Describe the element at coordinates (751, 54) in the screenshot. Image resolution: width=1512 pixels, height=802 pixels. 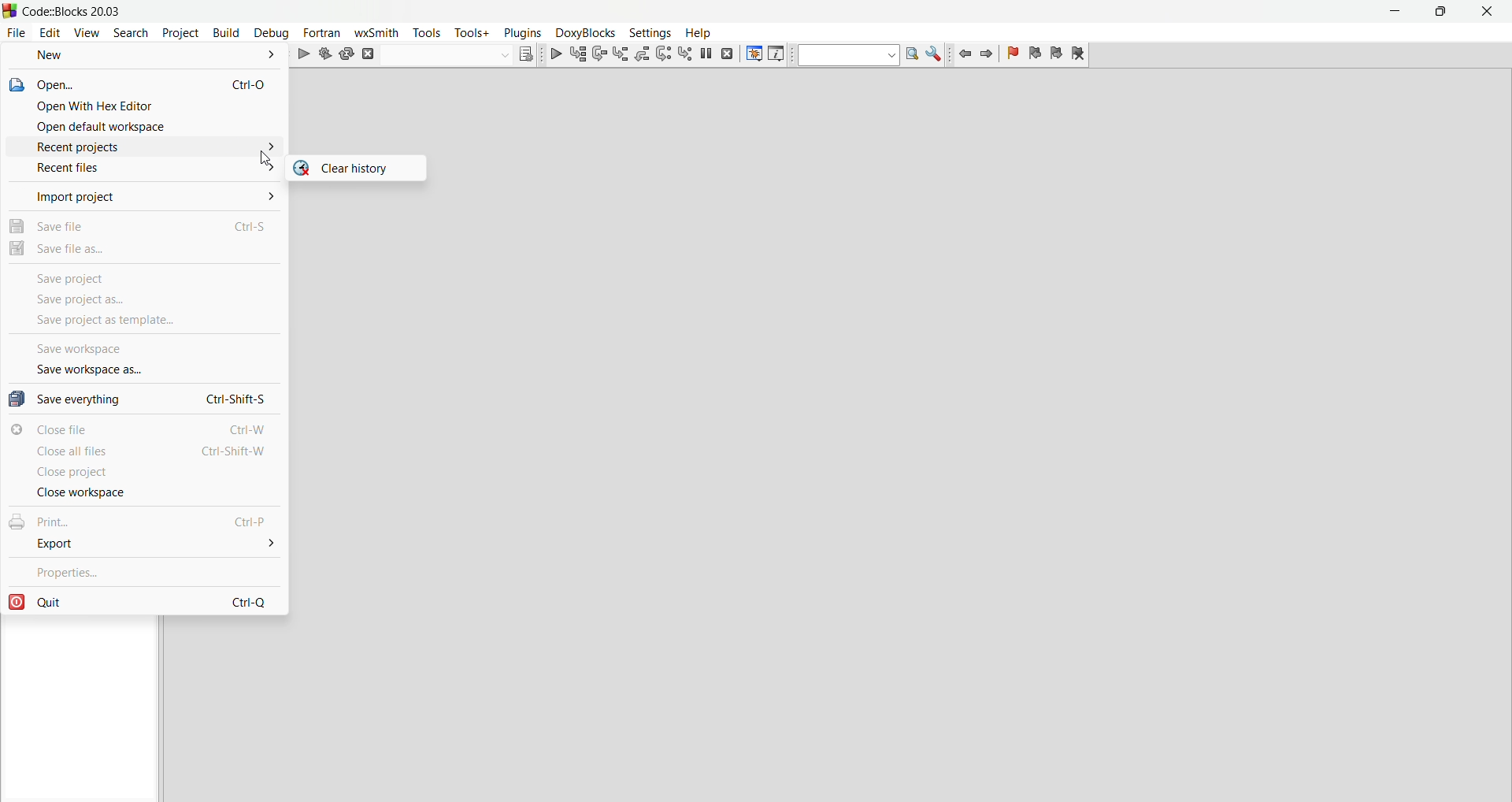
I see `debugging windows` at that location.